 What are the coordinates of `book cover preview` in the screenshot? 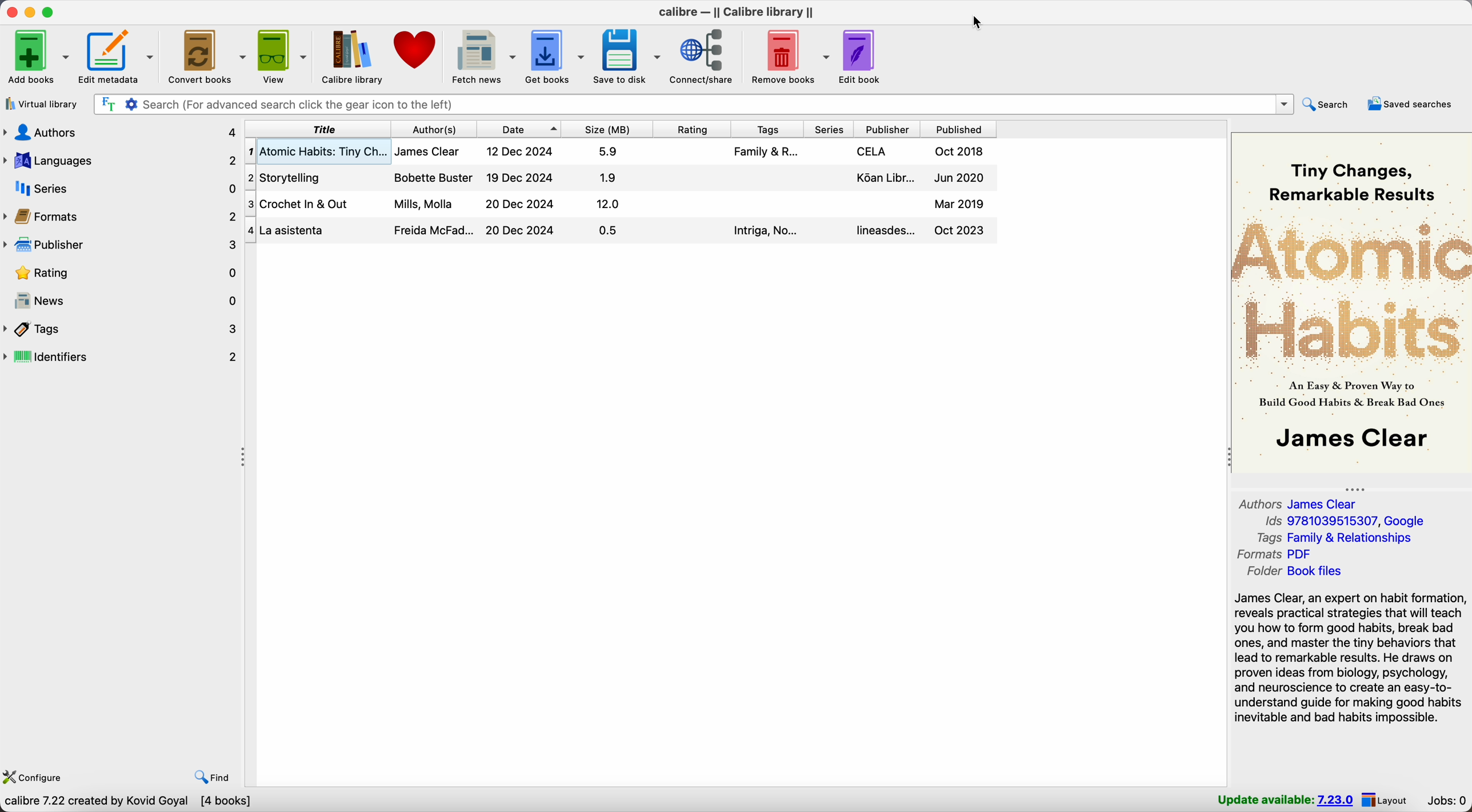 It's located at (1350, 301).